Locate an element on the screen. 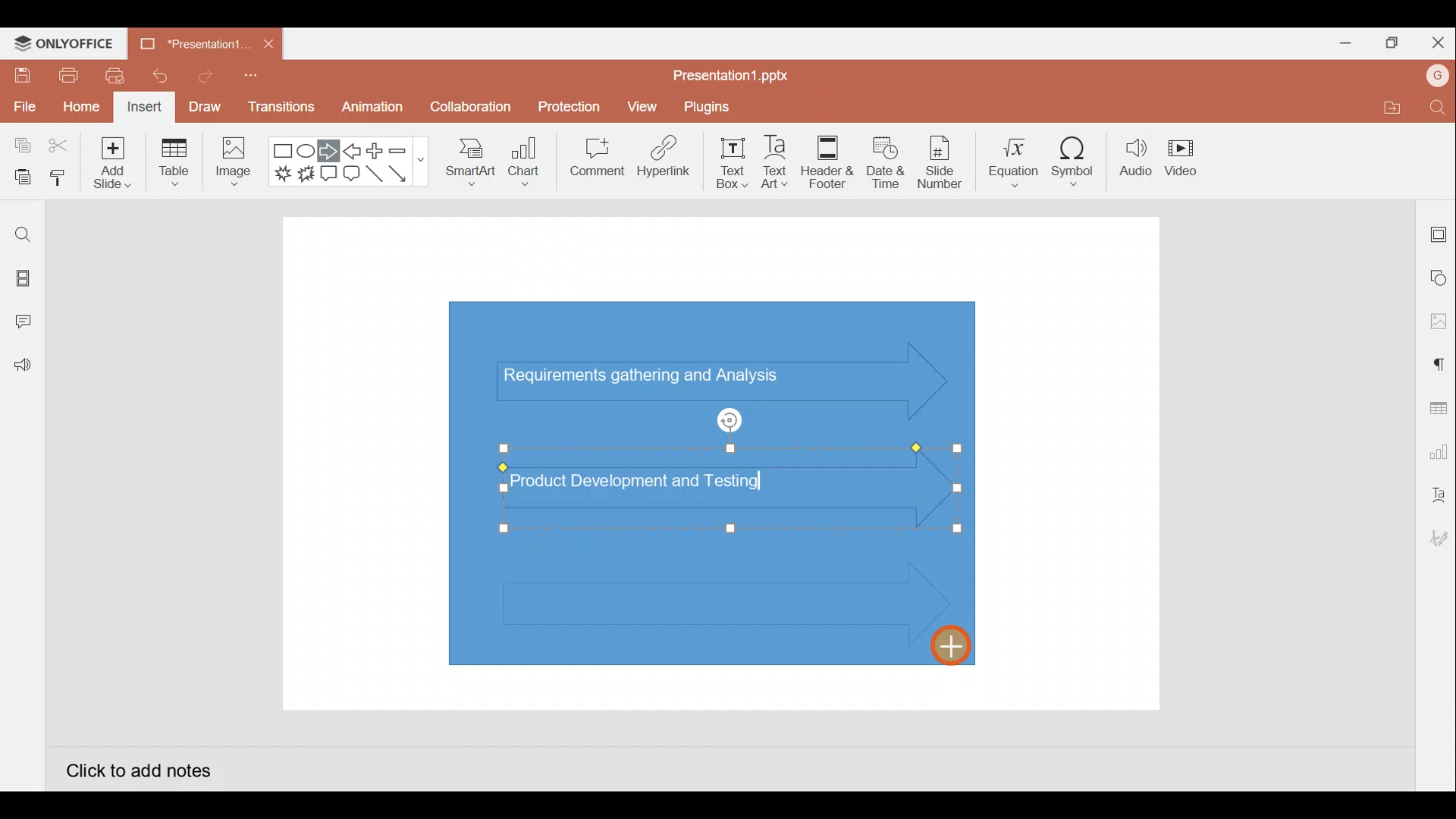 This screenshot has height=819, width=1456. Account name is located at coordinates (1438, 76).